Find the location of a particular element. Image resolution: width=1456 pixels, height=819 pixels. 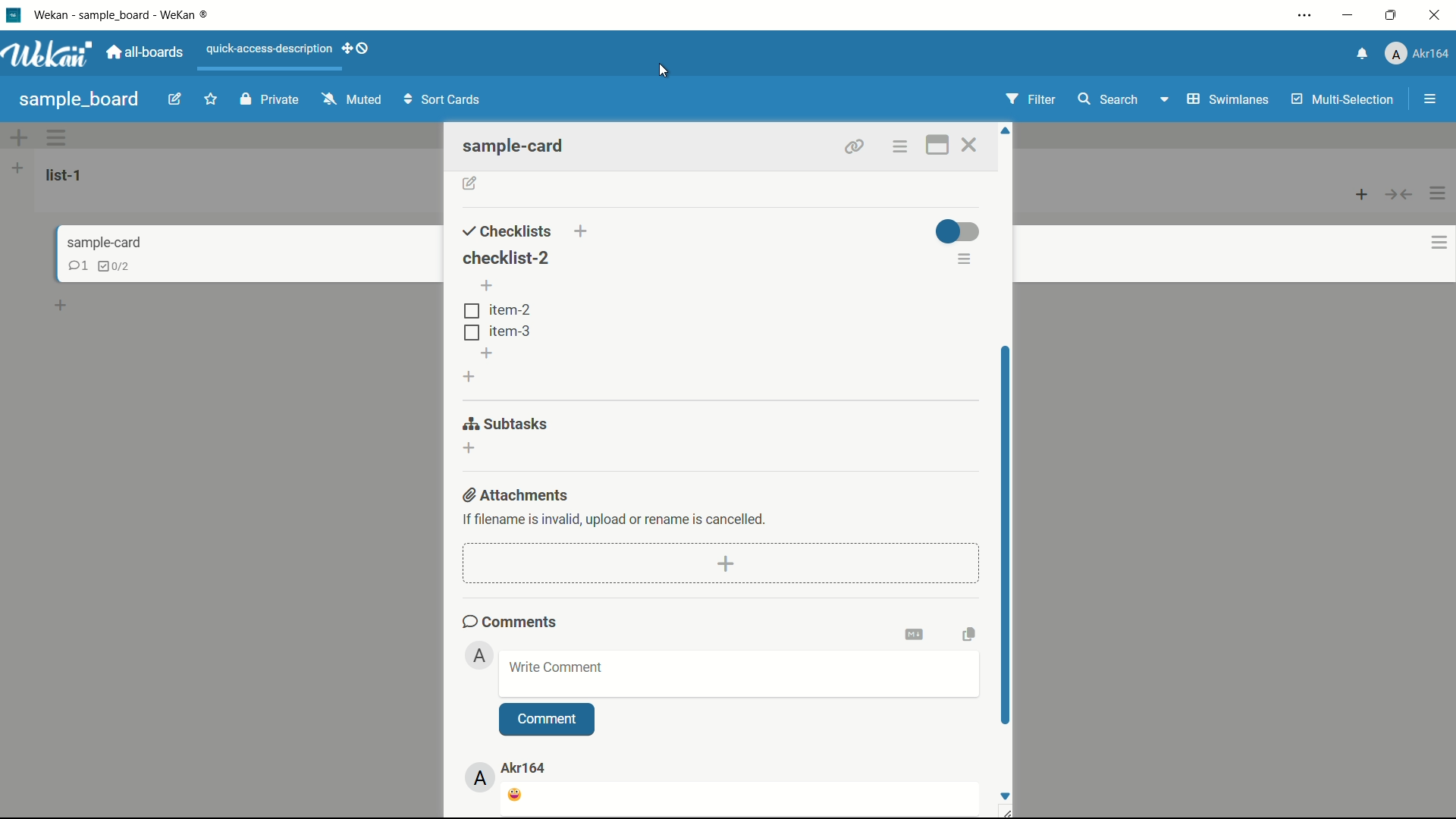

checklist-2 is located at coordinates (504, 256).